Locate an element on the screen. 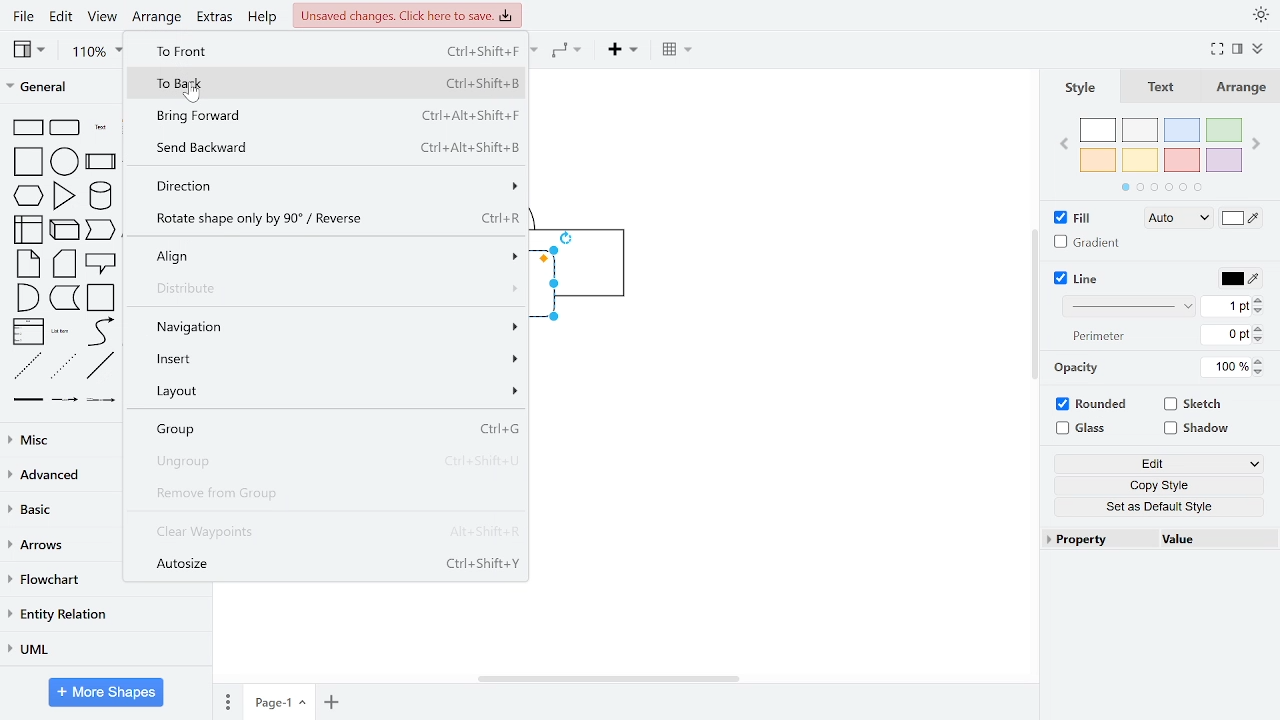  pages in colors is located at coordinates (1162, 187).